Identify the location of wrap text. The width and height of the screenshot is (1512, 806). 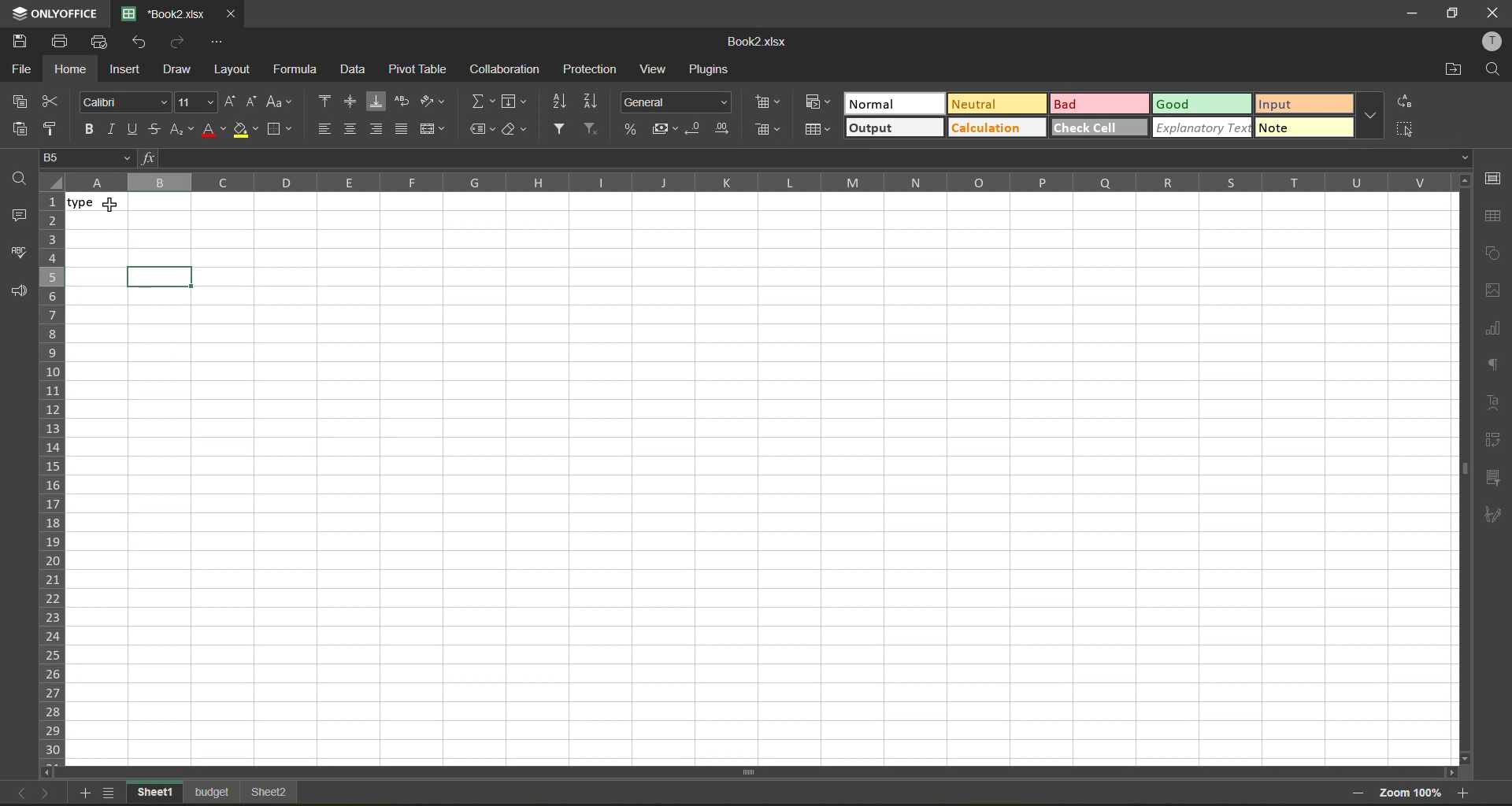
(405, 104).